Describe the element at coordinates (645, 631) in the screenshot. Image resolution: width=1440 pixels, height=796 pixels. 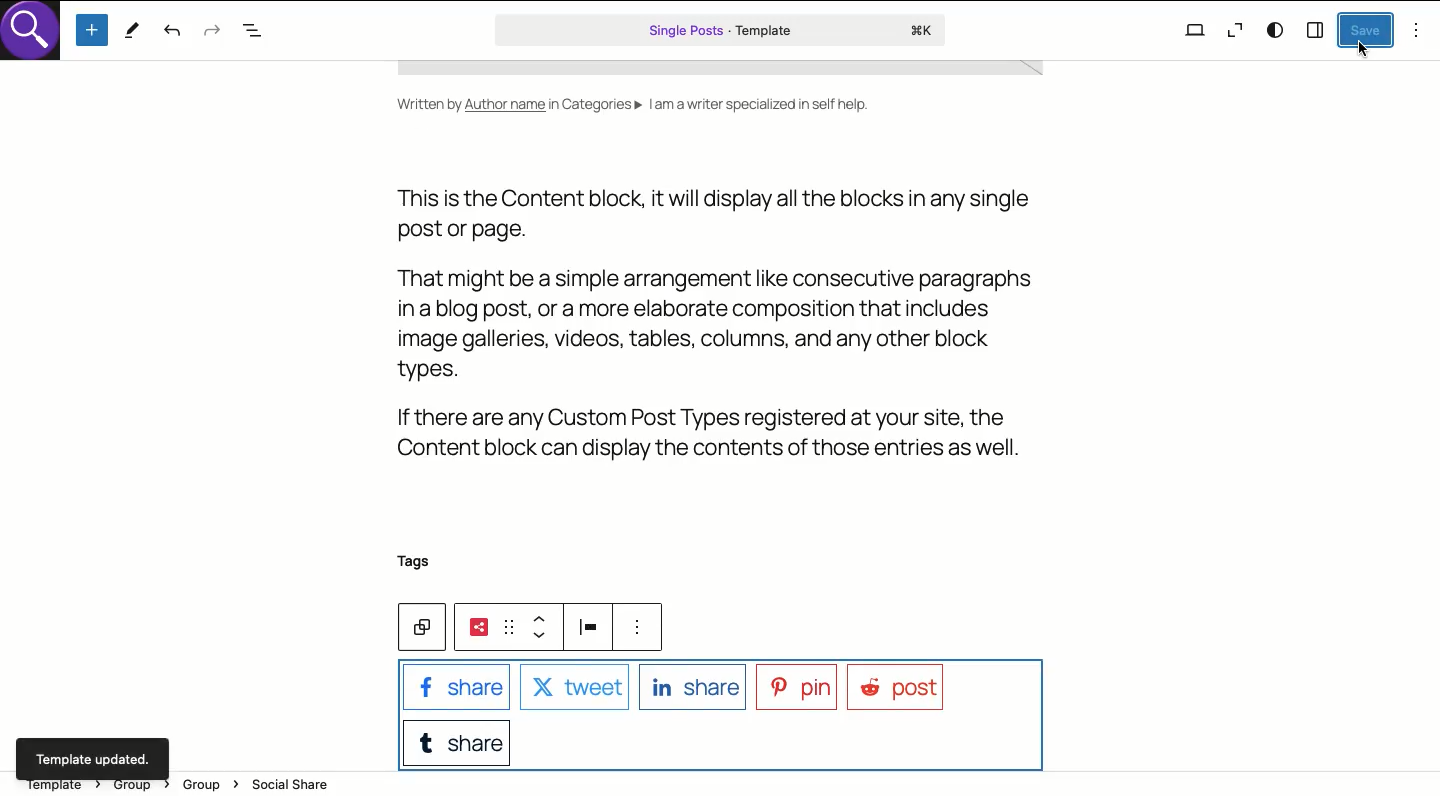
I see `view menu` at that location.